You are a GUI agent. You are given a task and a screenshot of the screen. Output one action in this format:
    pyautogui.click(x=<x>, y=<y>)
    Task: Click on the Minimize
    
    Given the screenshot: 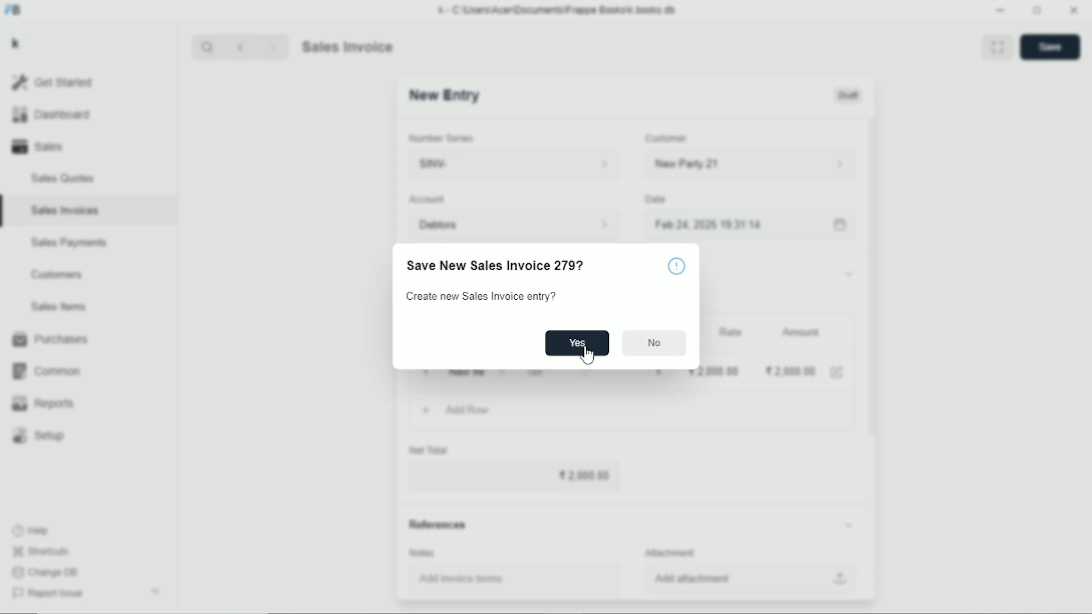 What is the action you would take?
    pyautogui.click(x=1000, y=11)
    